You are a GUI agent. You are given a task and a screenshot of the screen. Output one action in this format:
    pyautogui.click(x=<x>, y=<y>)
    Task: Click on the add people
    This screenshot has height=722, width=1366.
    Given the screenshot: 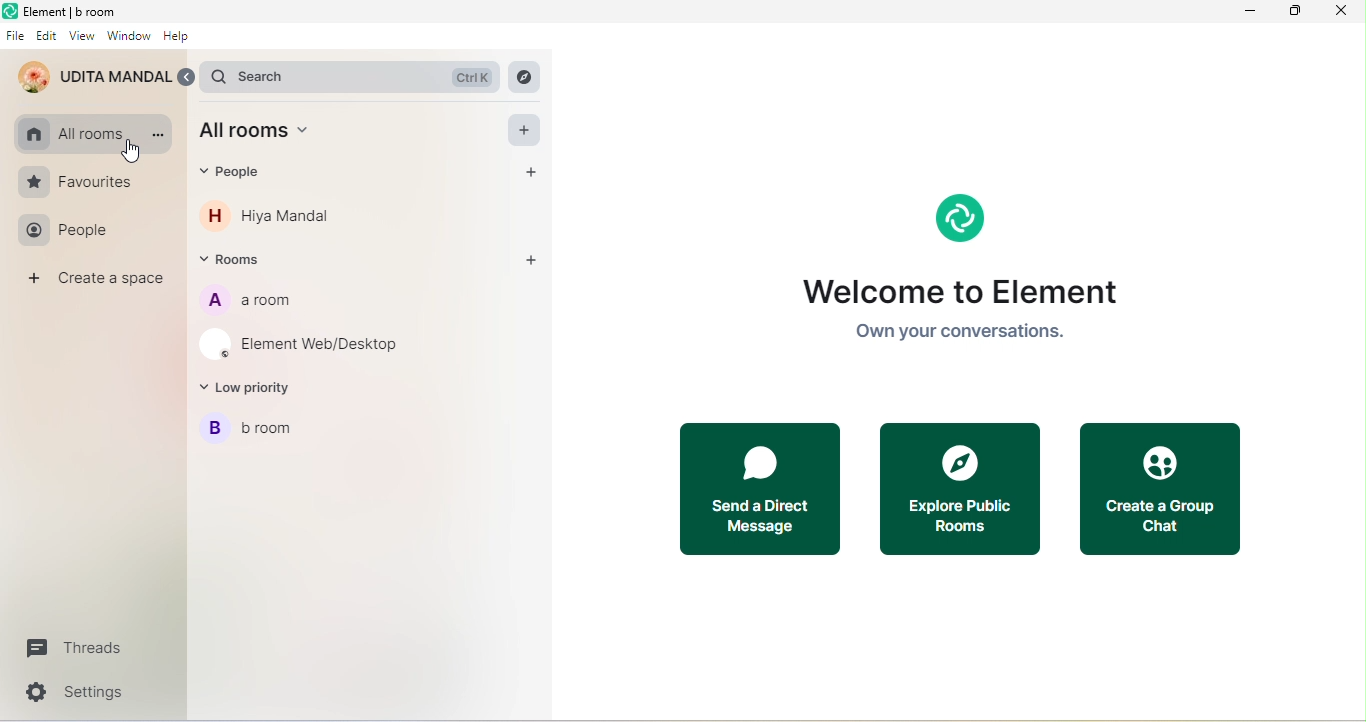 What is the action you would take?
    pyautogui.click(x=526, y=172)
    